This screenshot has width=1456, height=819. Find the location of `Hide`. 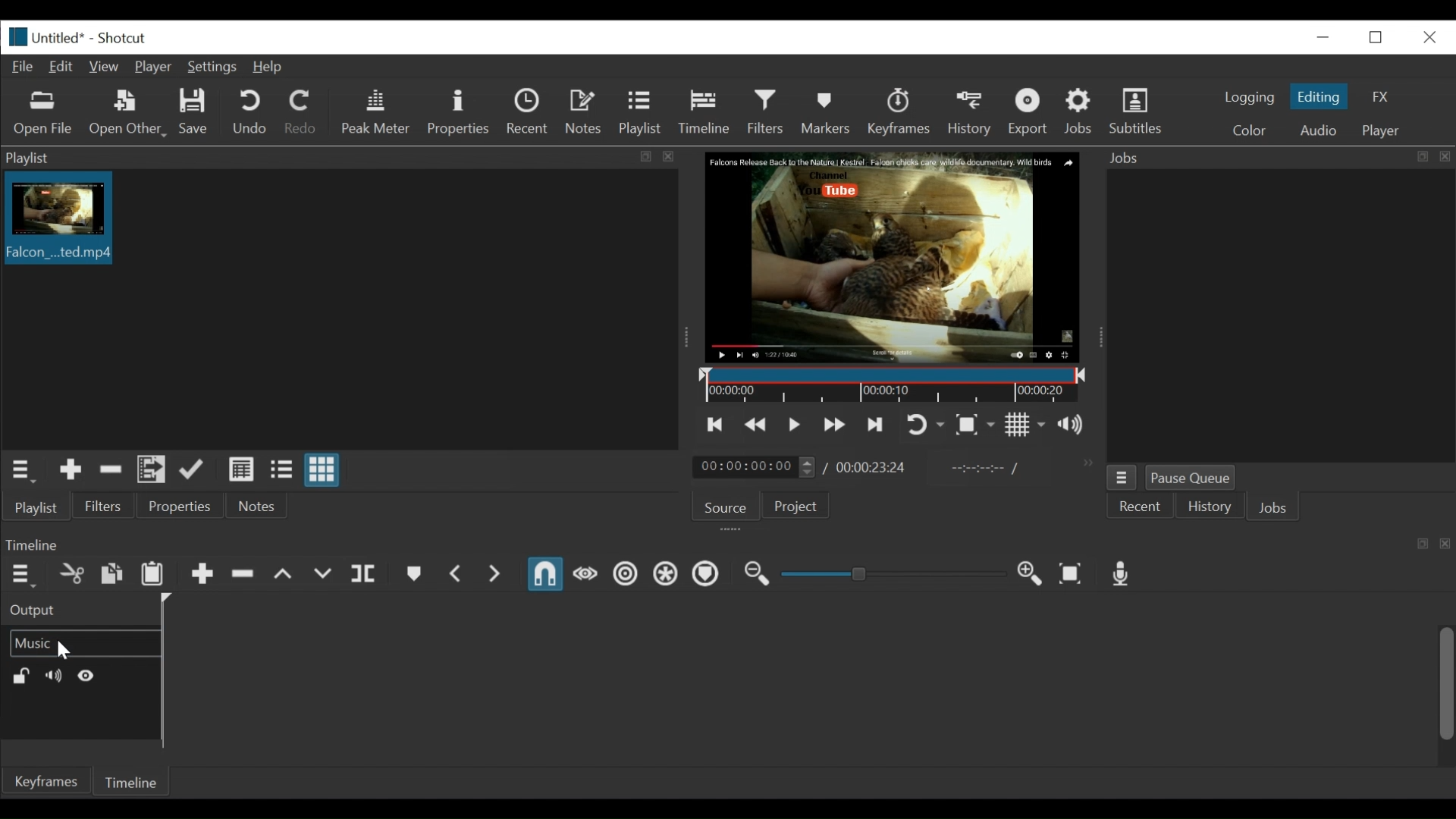

Hide is located at coordinates (88, 675).